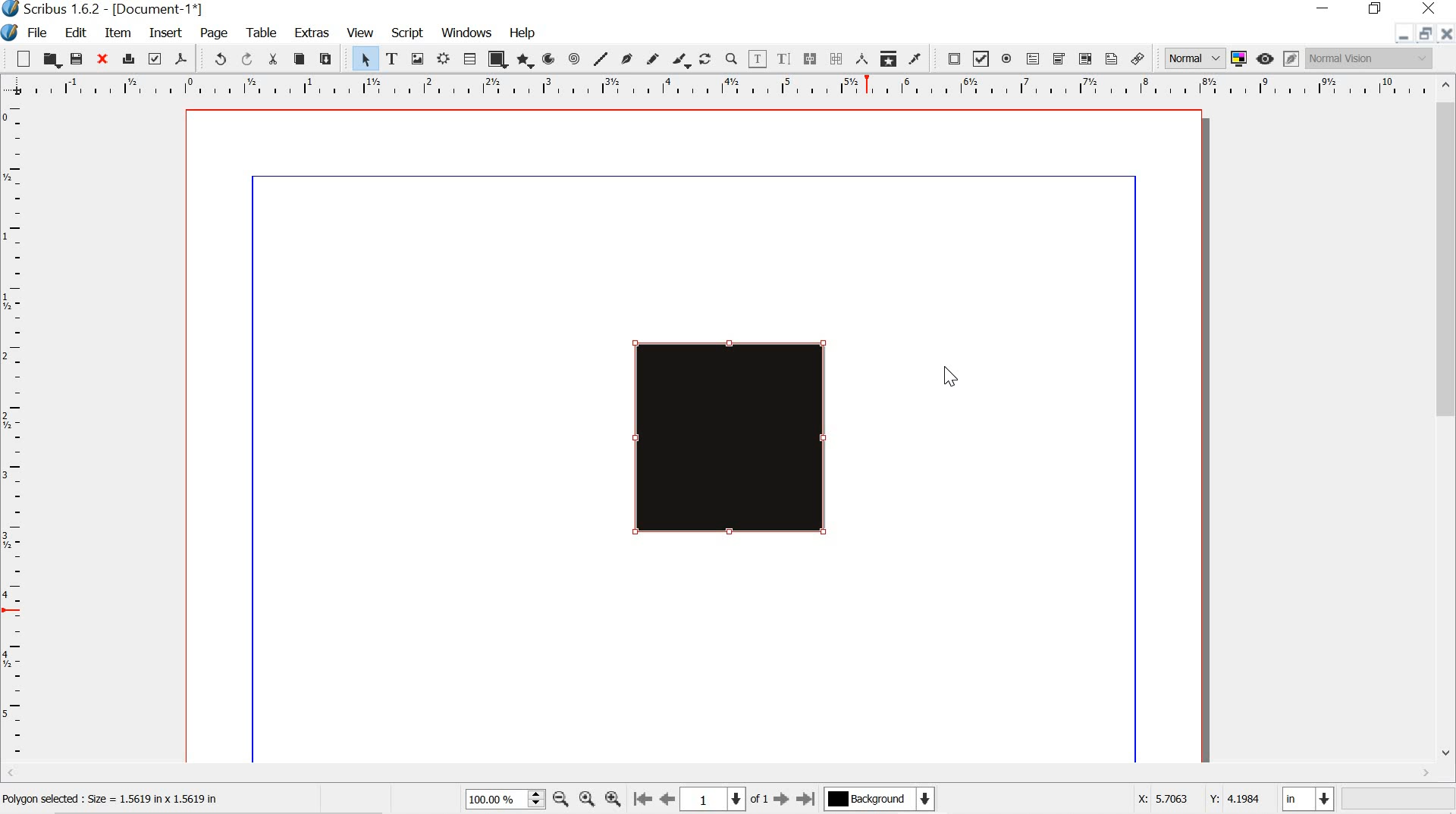 The width and height of the screenshot is (1456, 814). I want to click on link text frames, so click(811, 58).